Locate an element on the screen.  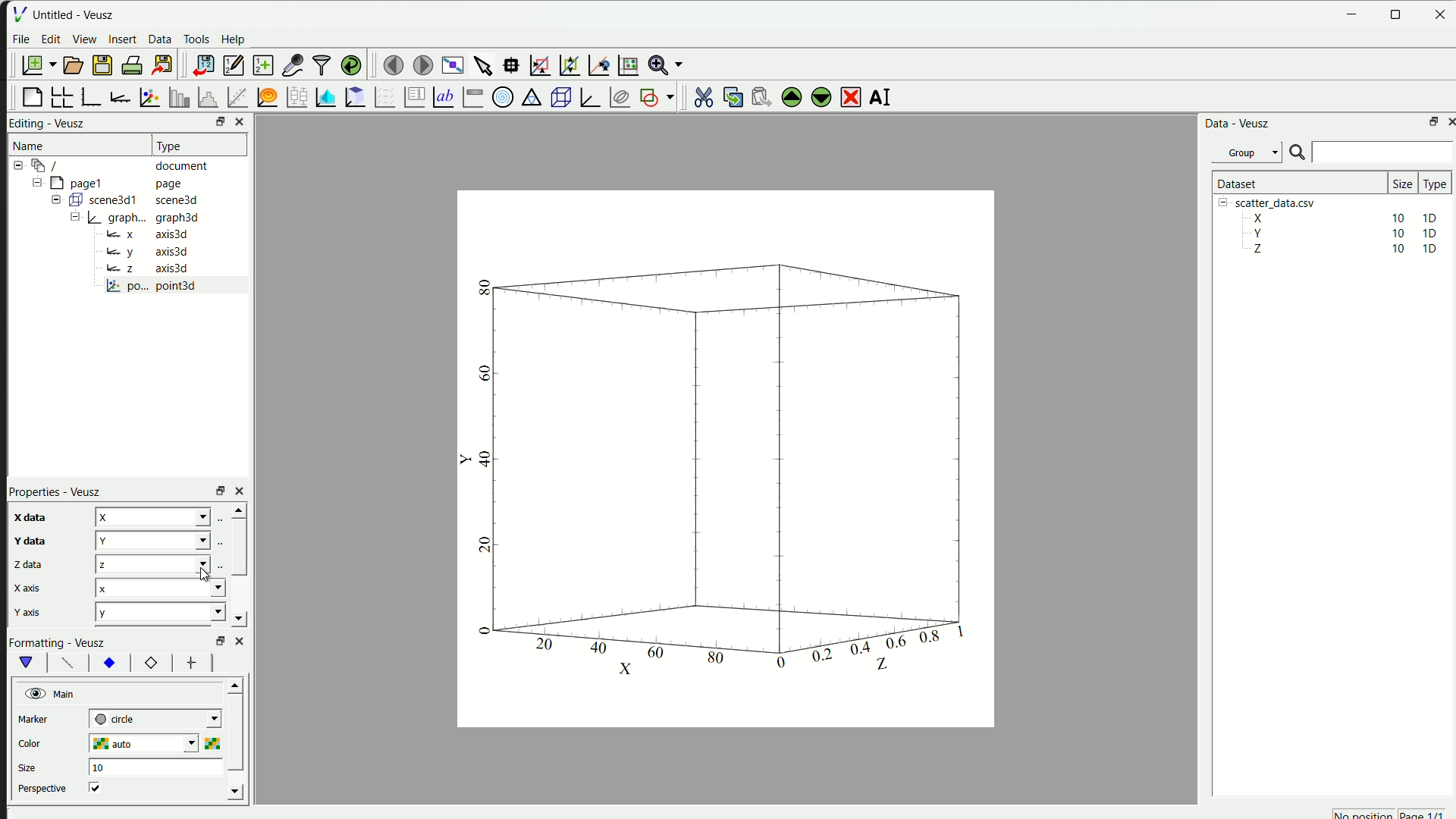
Editing is located at coordinates (27, 122).